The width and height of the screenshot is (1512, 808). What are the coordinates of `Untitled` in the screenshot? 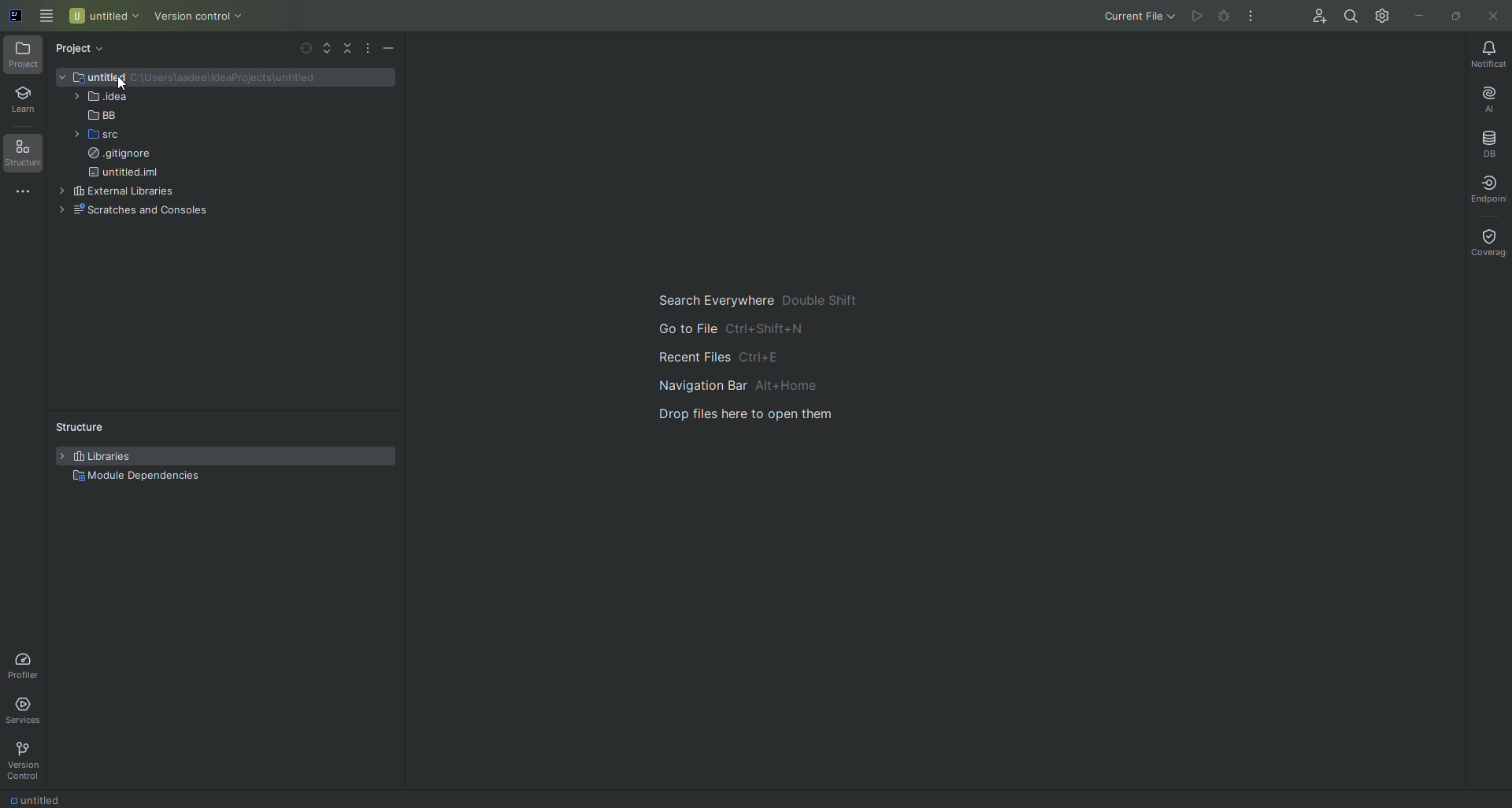 It's located at (43, 799).